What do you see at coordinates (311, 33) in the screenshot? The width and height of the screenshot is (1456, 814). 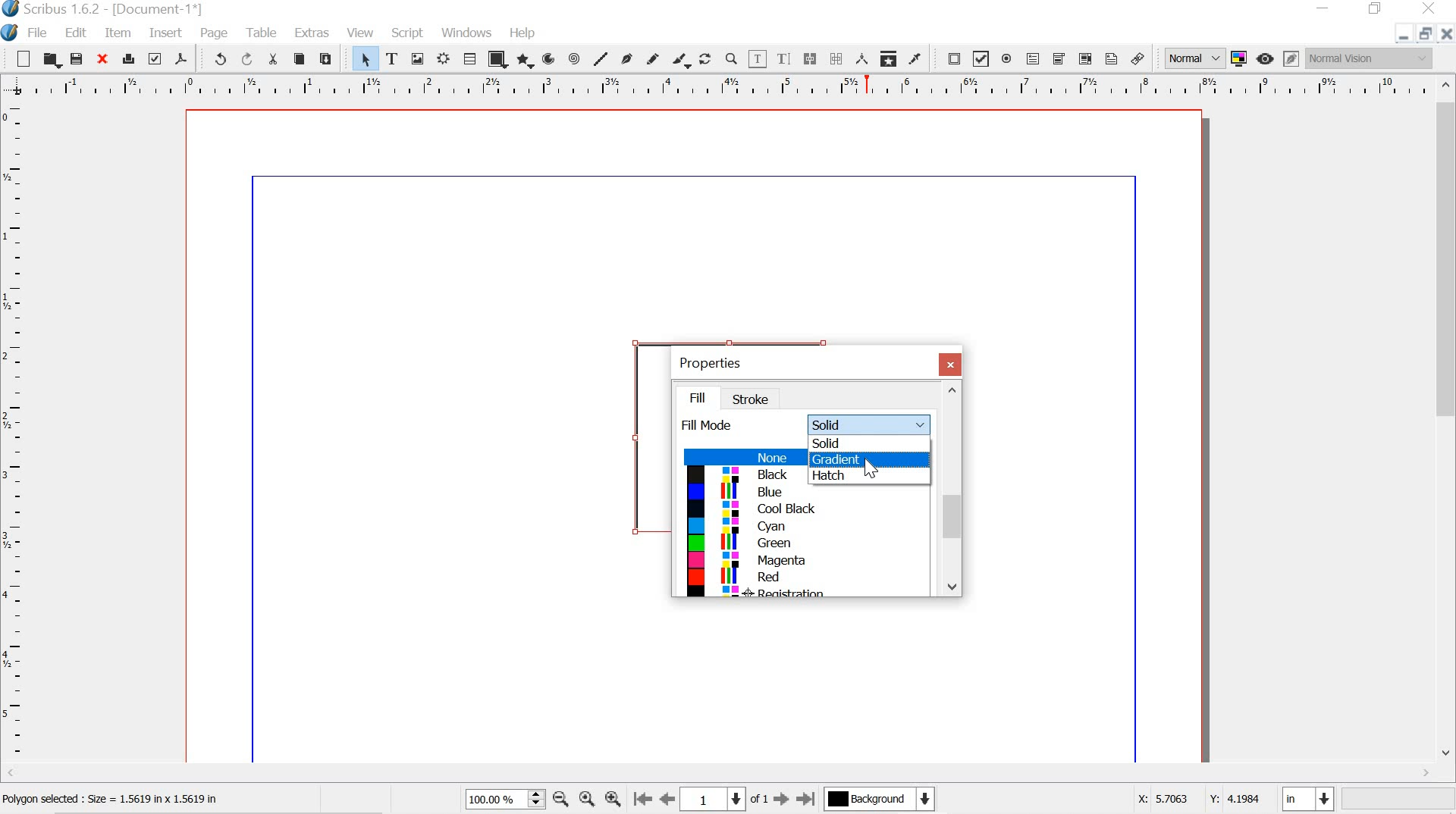 I see `extras` at bounding box center [311, 33].